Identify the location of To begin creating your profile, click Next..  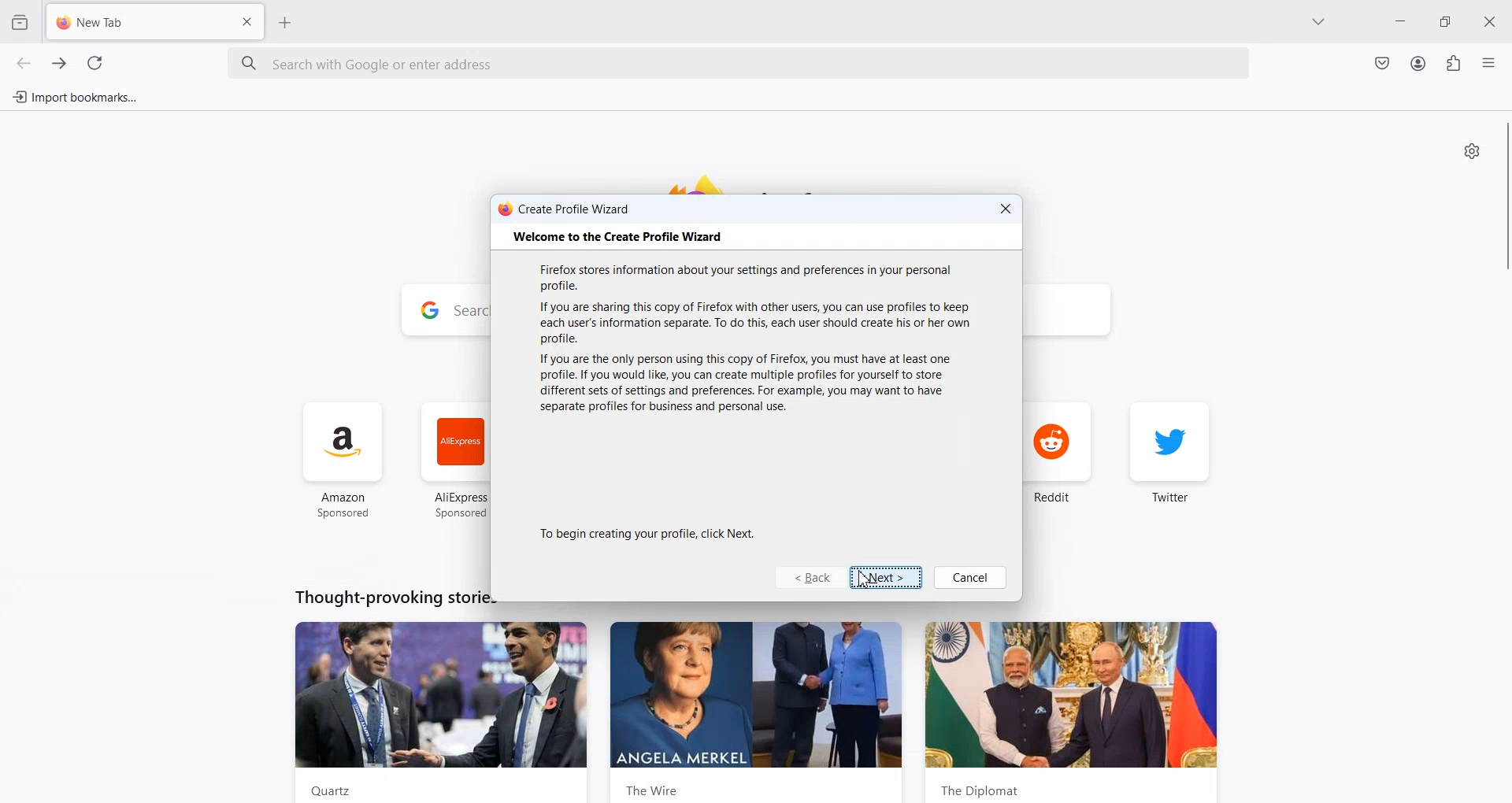
(643, 535).